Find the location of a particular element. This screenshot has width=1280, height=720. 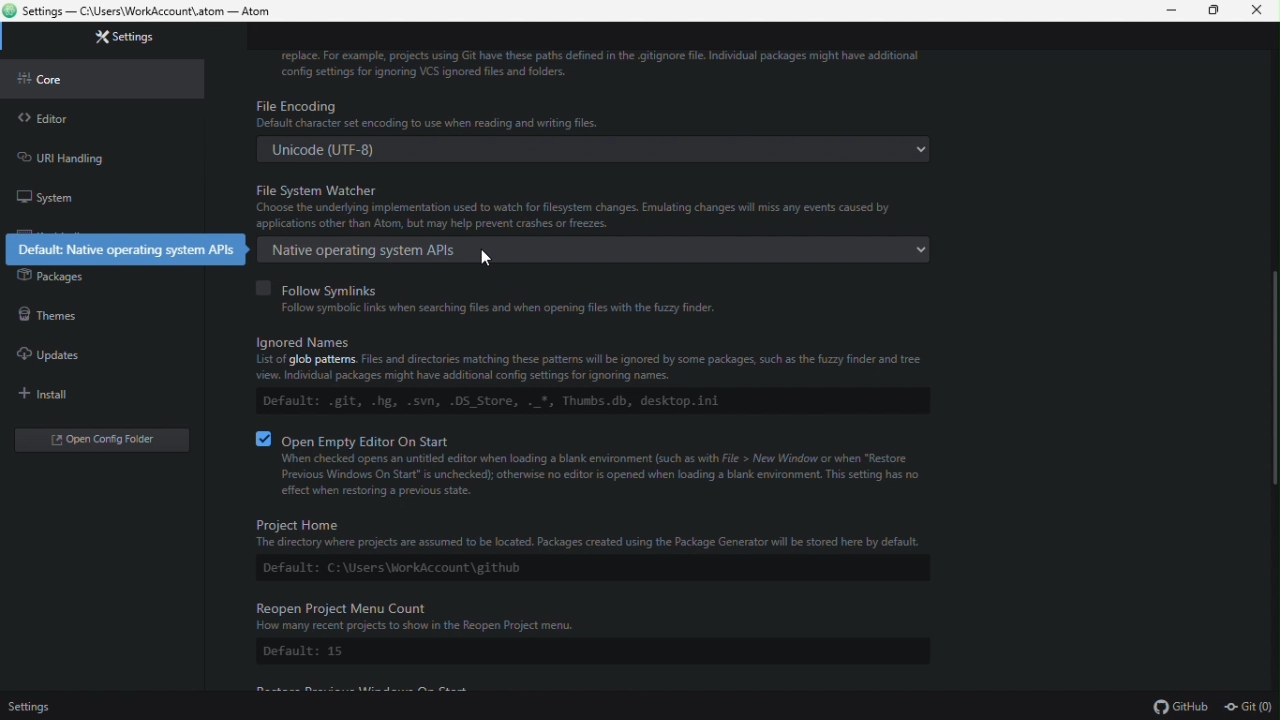

Settings is located at coordinates (119, 37).